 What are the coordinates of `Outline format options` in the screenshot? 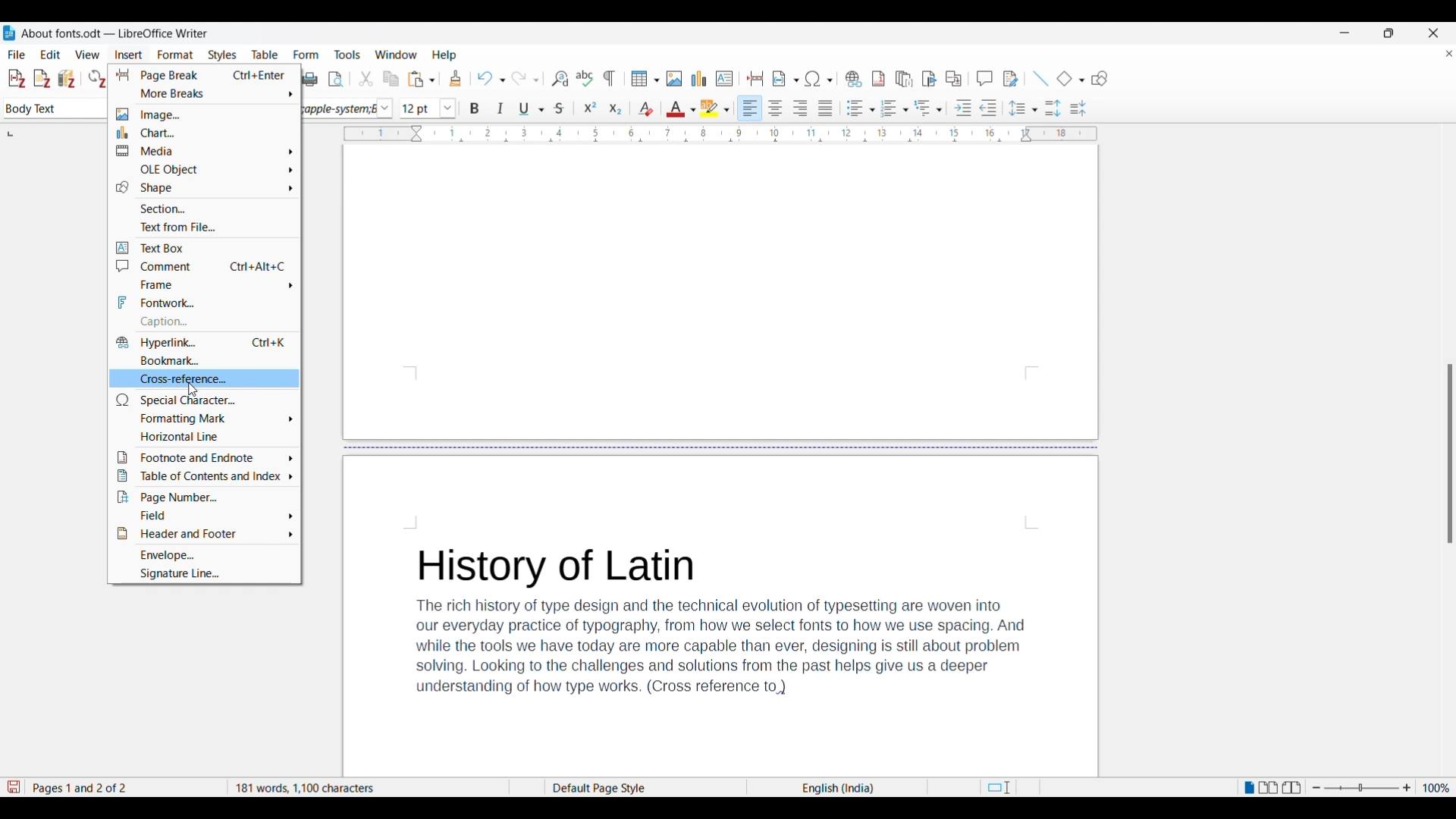 It's located at (929, 108).